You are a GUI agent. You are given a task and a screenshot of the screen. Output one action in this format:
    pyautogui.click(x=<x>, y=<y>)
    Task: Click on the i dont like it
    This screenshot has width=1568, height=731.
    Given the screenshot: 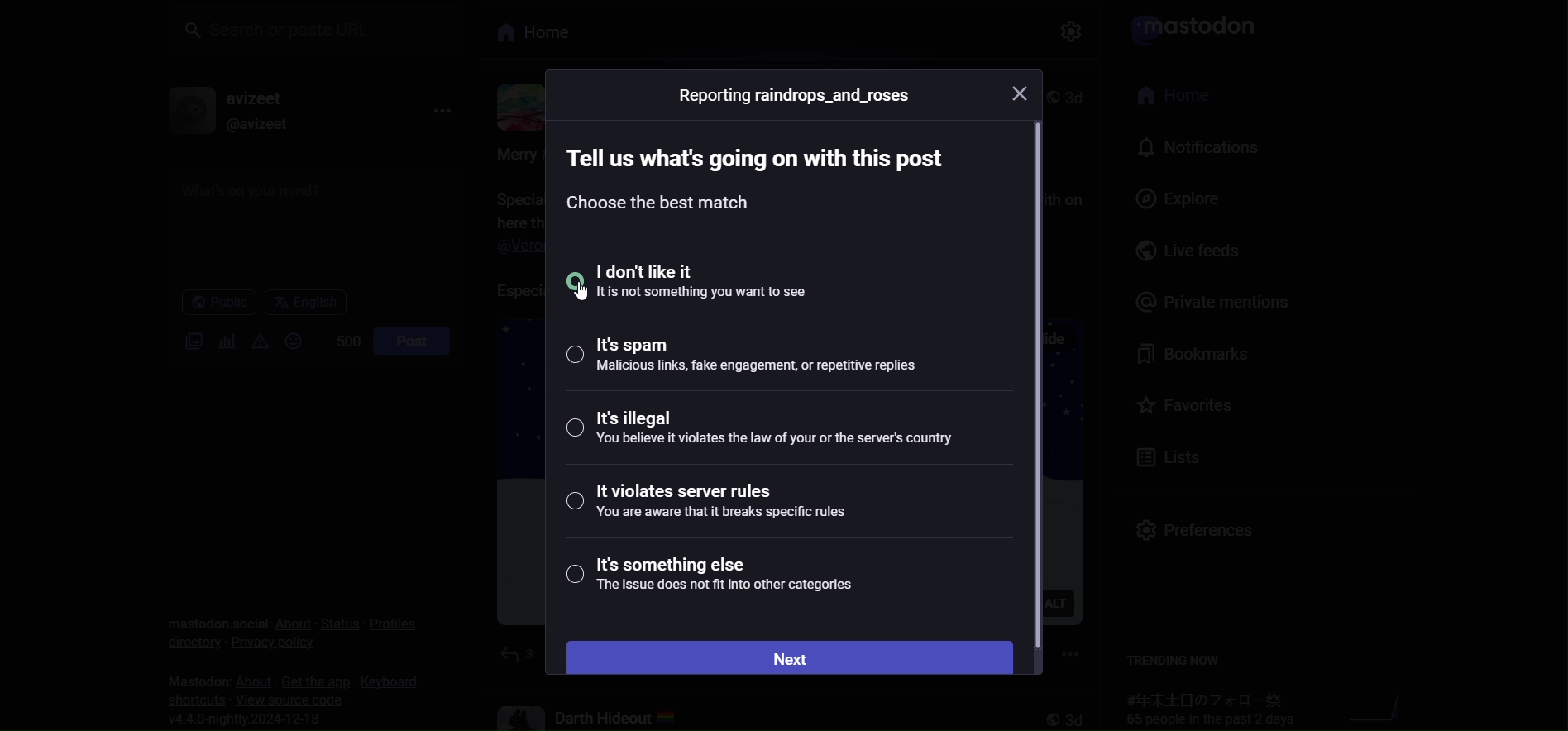 What is the action you would take?
    pyautogui.click(x=712, y=281)
    